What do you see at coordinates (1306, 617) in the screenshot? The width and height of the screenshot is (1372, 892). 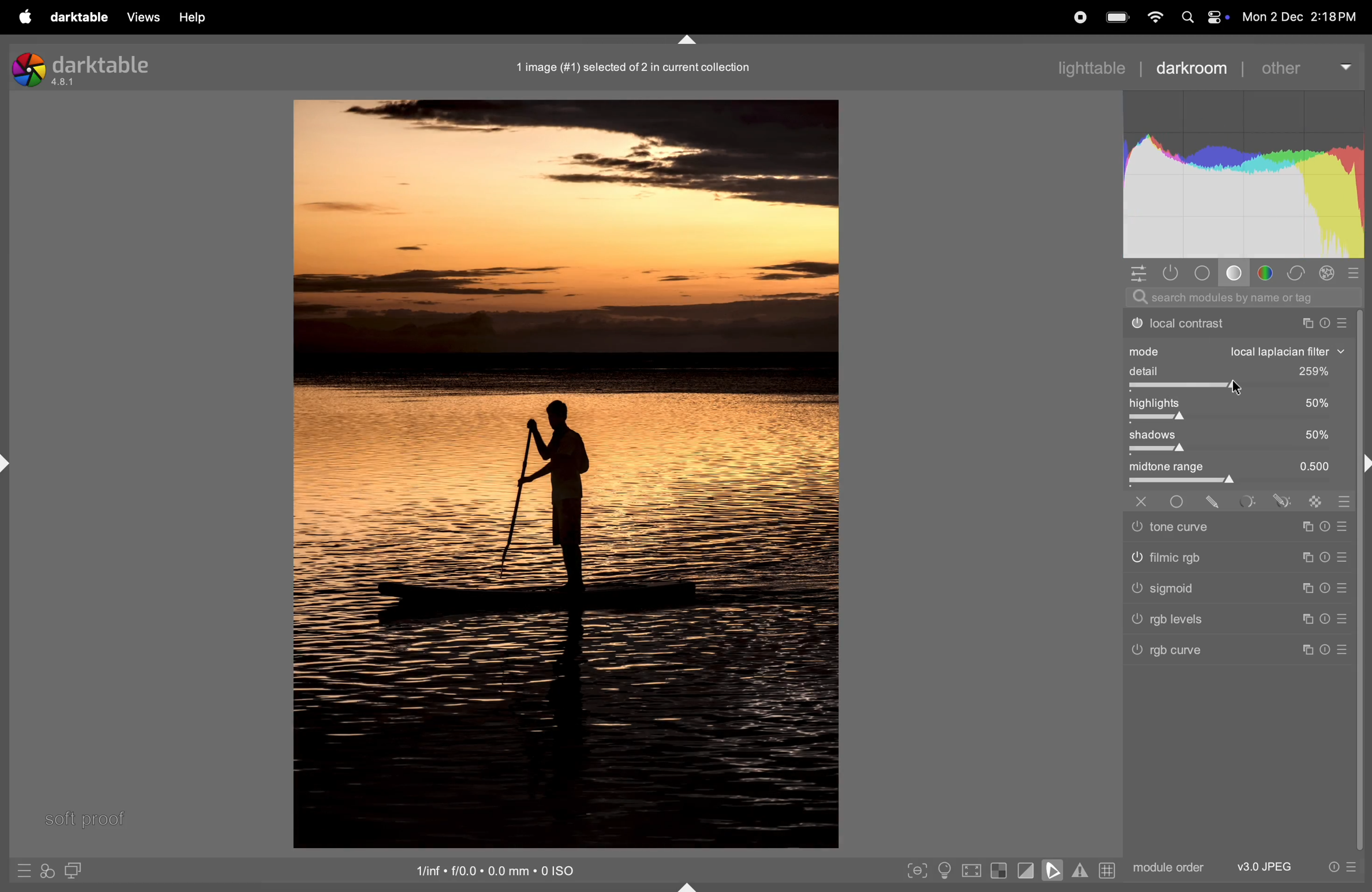 I see `sign ` at bounding box center [1306, 617].